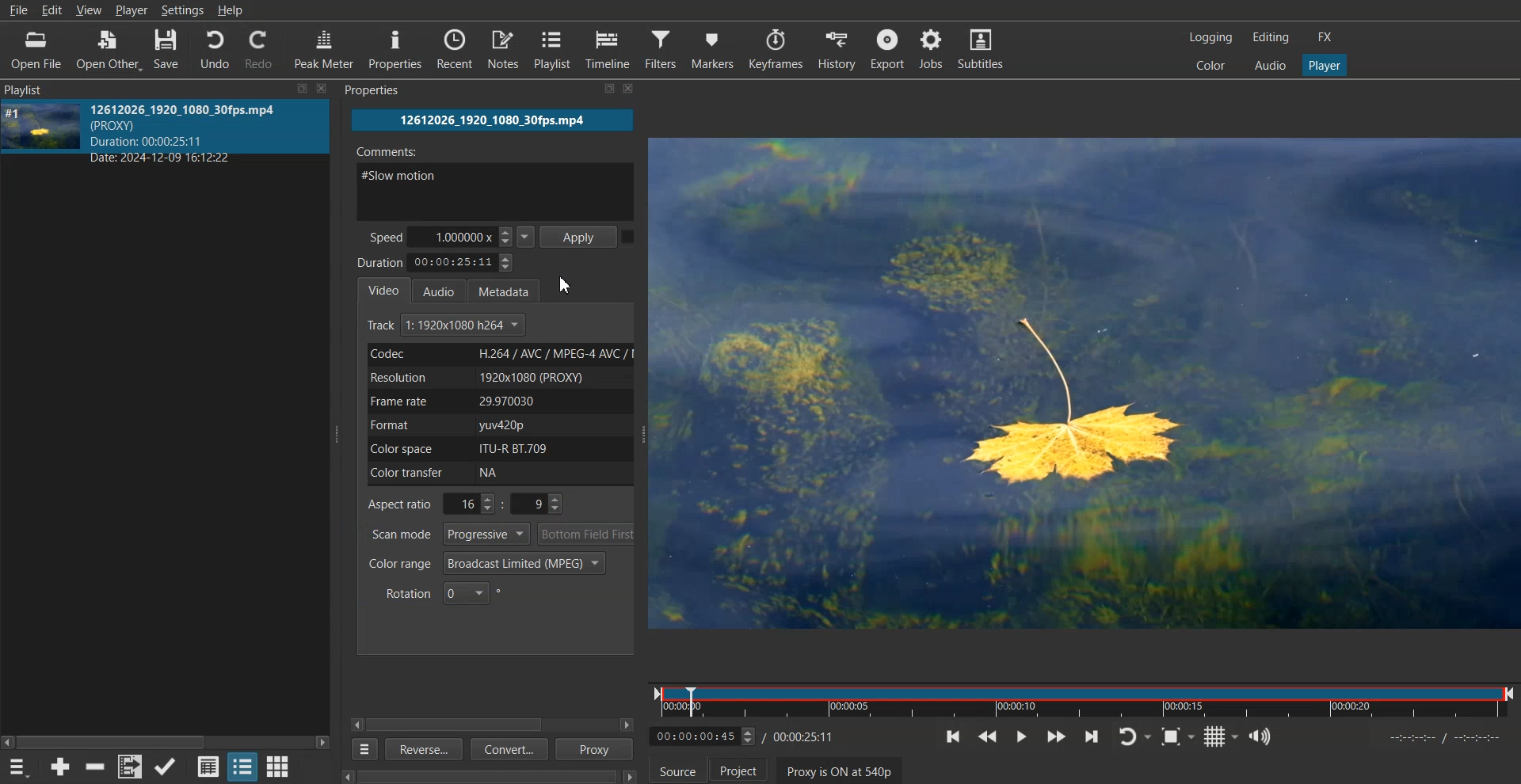 This screenshot has height=784, width=1521. Describe the element at coordinates (497, 377) in the screenshot. I see `Resolution` at that location.